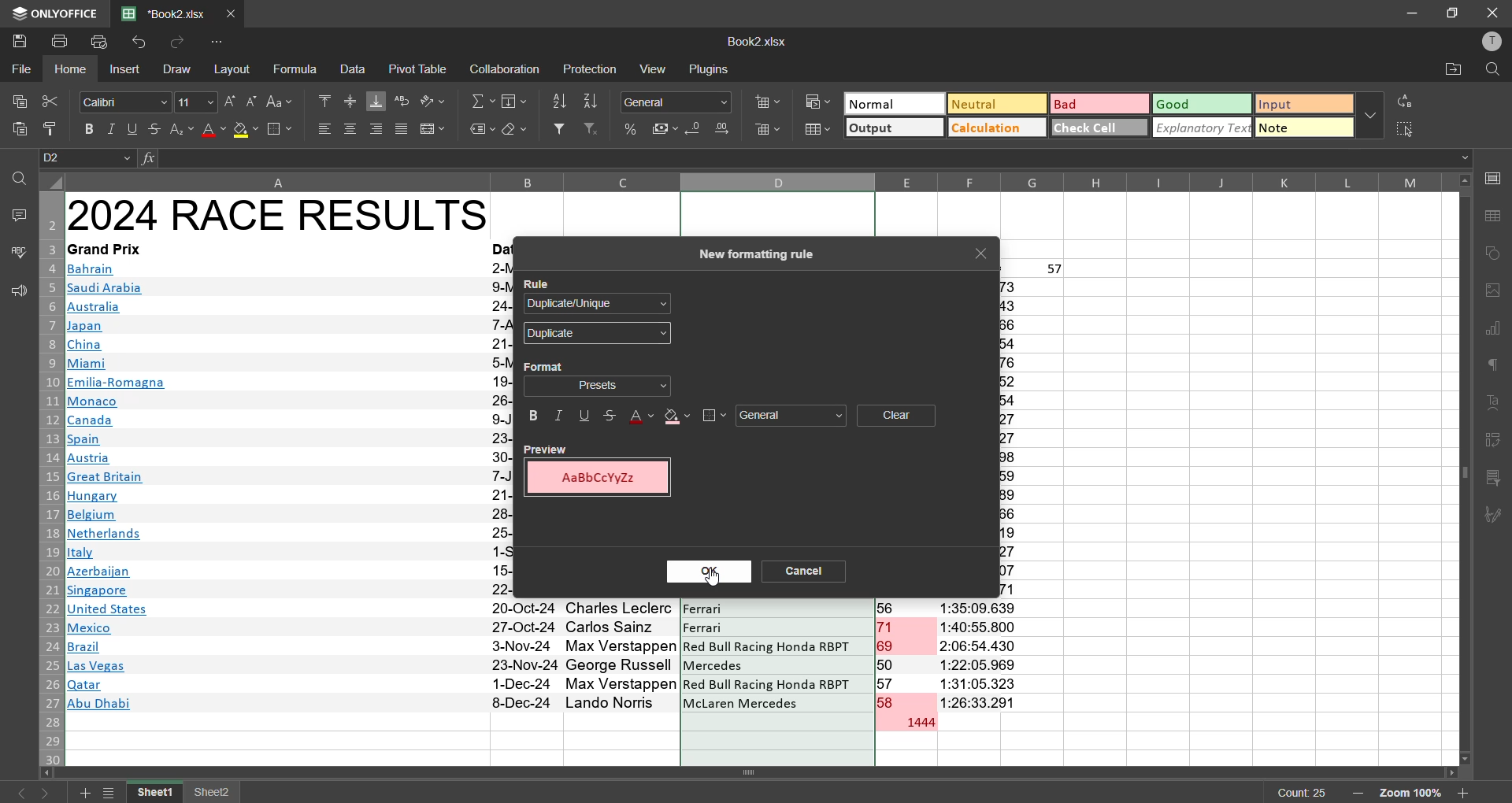  What do you see at coordinates (821, 102) in the screenshot?
I see `conditional formatting` at bounding box center [821, 102].